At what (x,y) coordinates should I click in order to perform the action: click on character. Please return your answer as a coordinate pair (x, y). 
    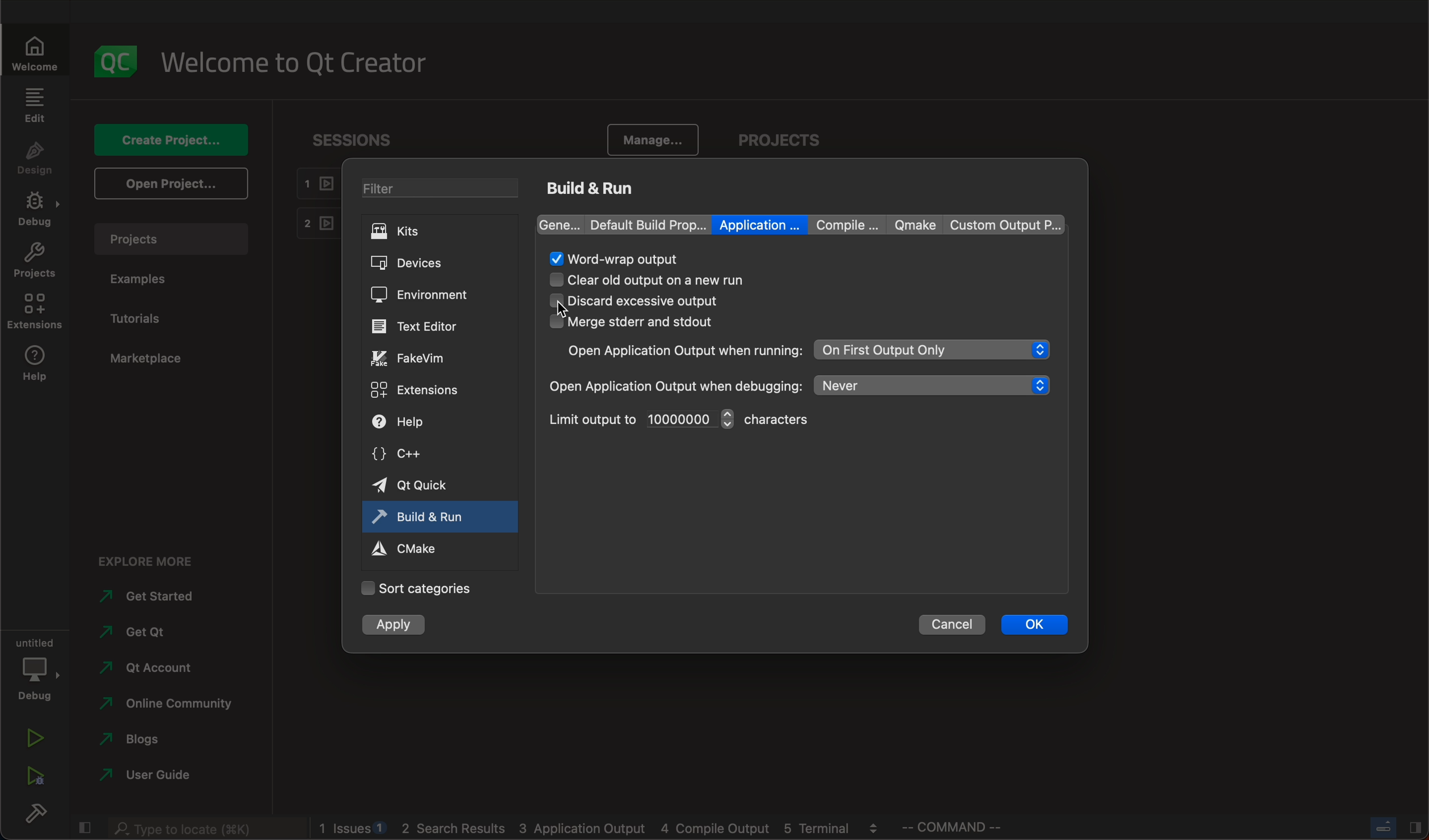
    Looking at the image, I should click on (784, 419).